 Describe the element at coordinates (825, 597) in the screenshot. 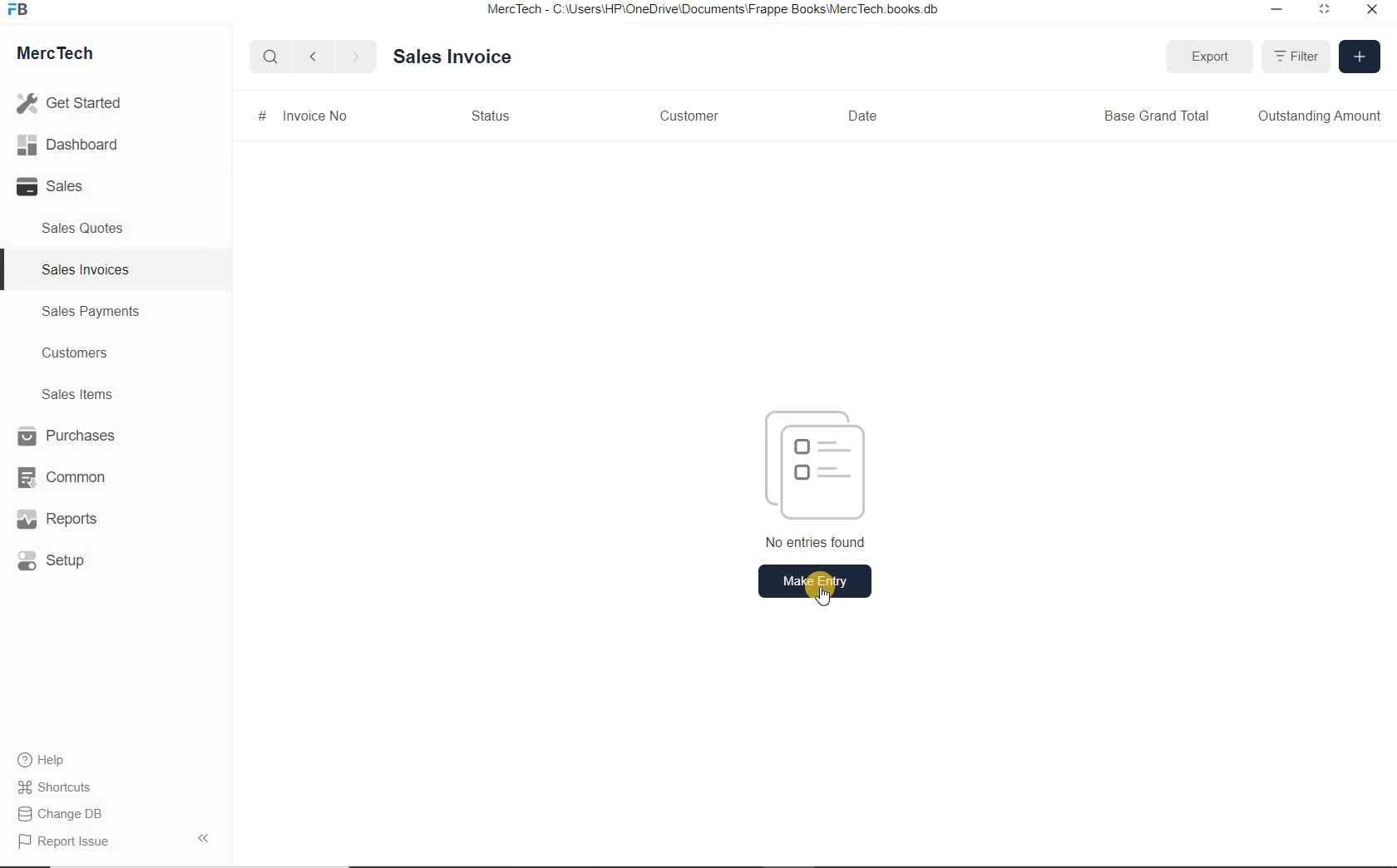

I see `Cursor` at that location.